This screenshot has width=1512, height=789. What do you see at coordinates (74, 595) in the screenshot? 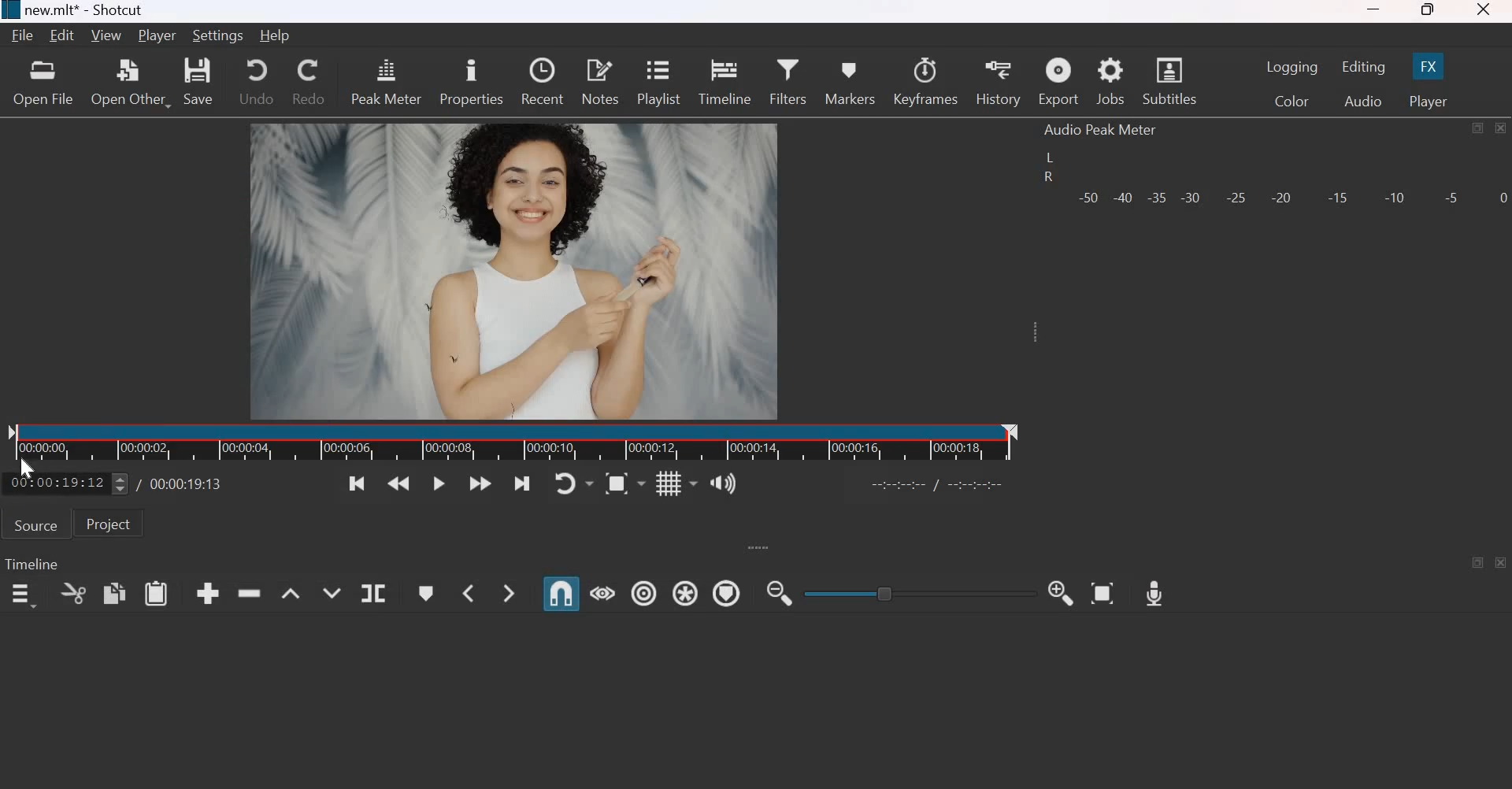
I see `cut` at bounding box center [74, 595].